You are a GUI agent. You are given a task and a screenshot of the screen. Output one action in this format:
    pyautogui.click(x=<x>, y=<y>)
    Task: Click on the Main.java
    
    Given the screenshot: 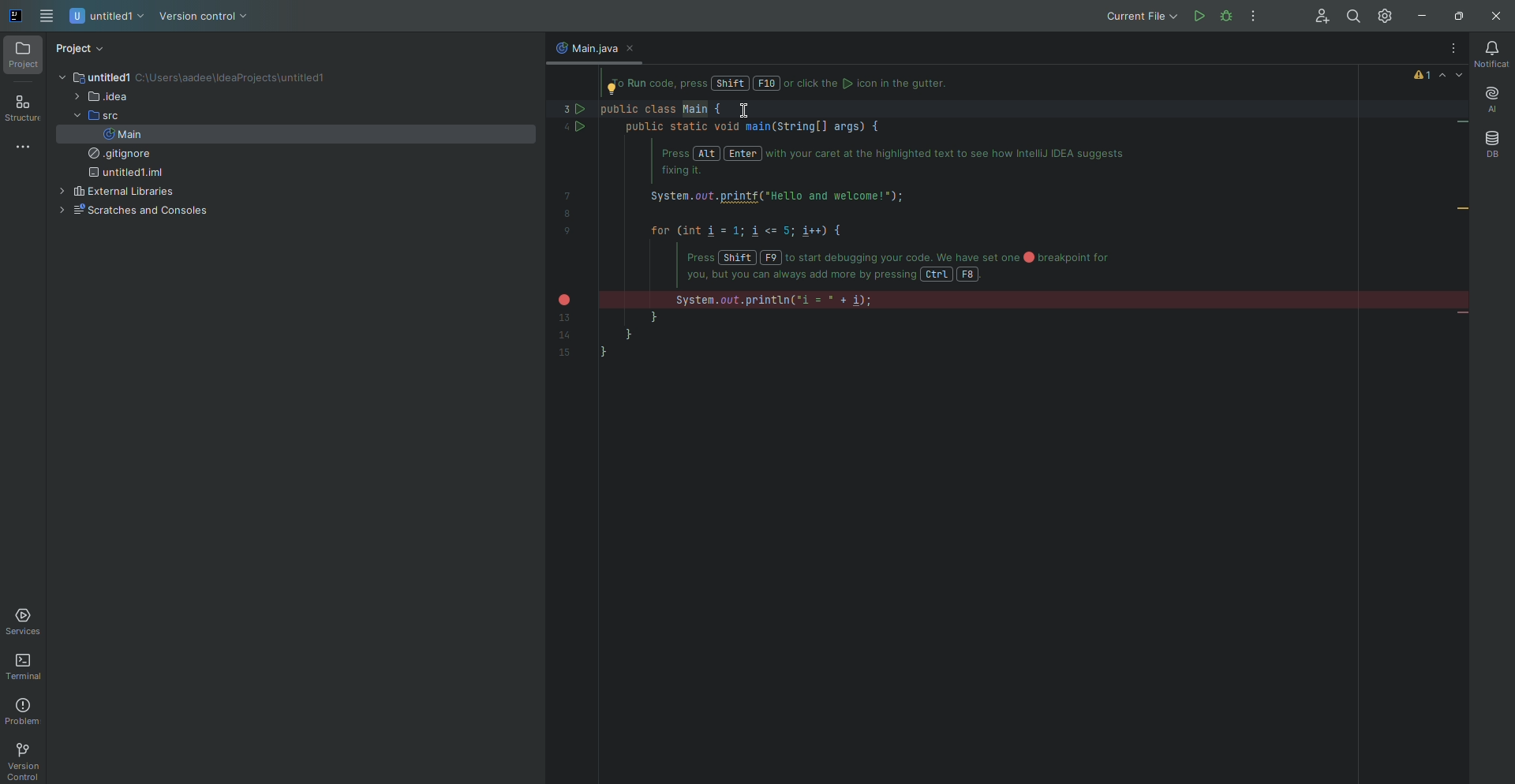 What is the action you would take?
    pyautogui.click(x=582, y=47)
    